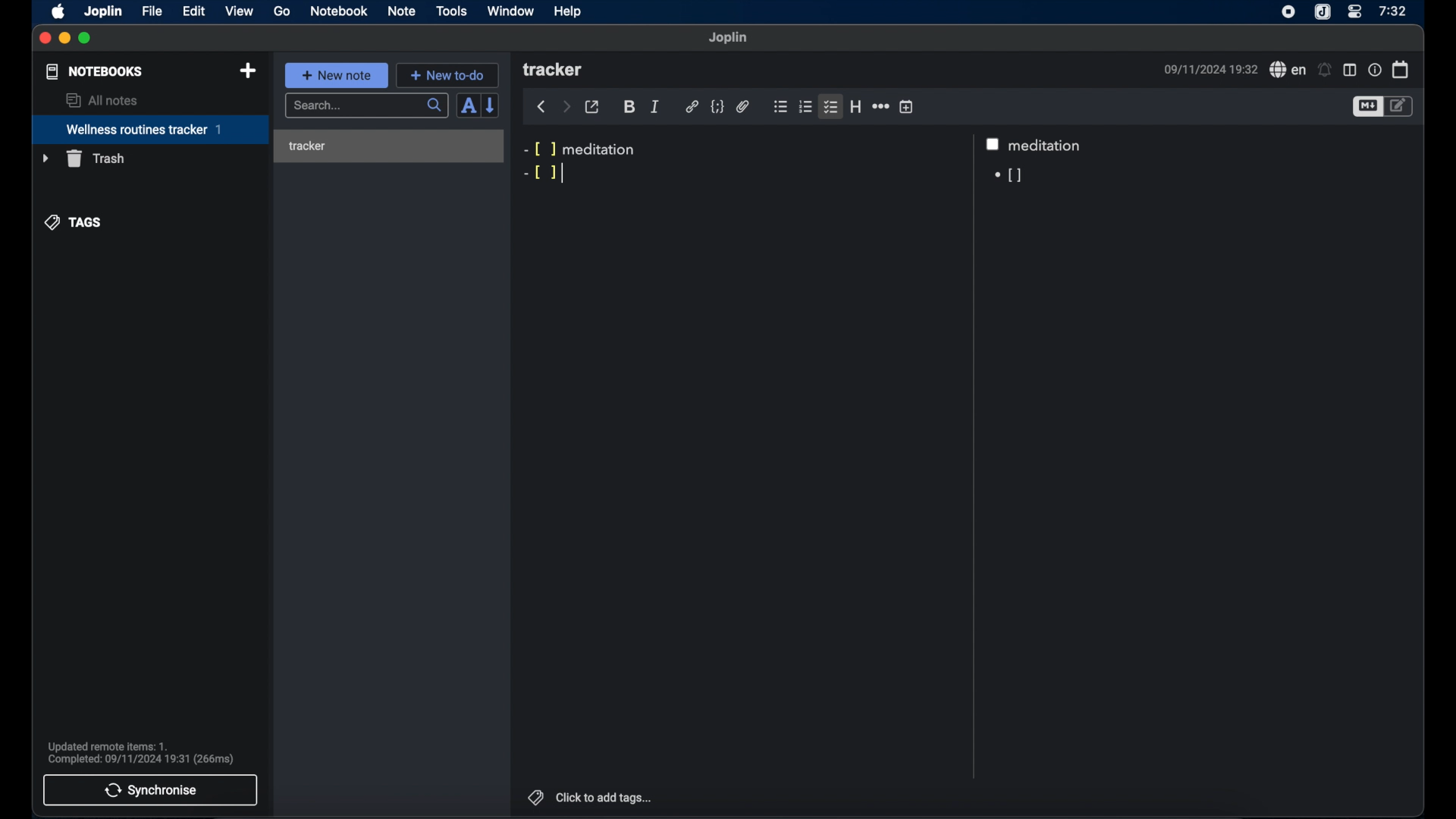 The image size is (1456, 819). Describe the element at coordinates (994, 143) in the screenshot. I see `checkbox` at that location.